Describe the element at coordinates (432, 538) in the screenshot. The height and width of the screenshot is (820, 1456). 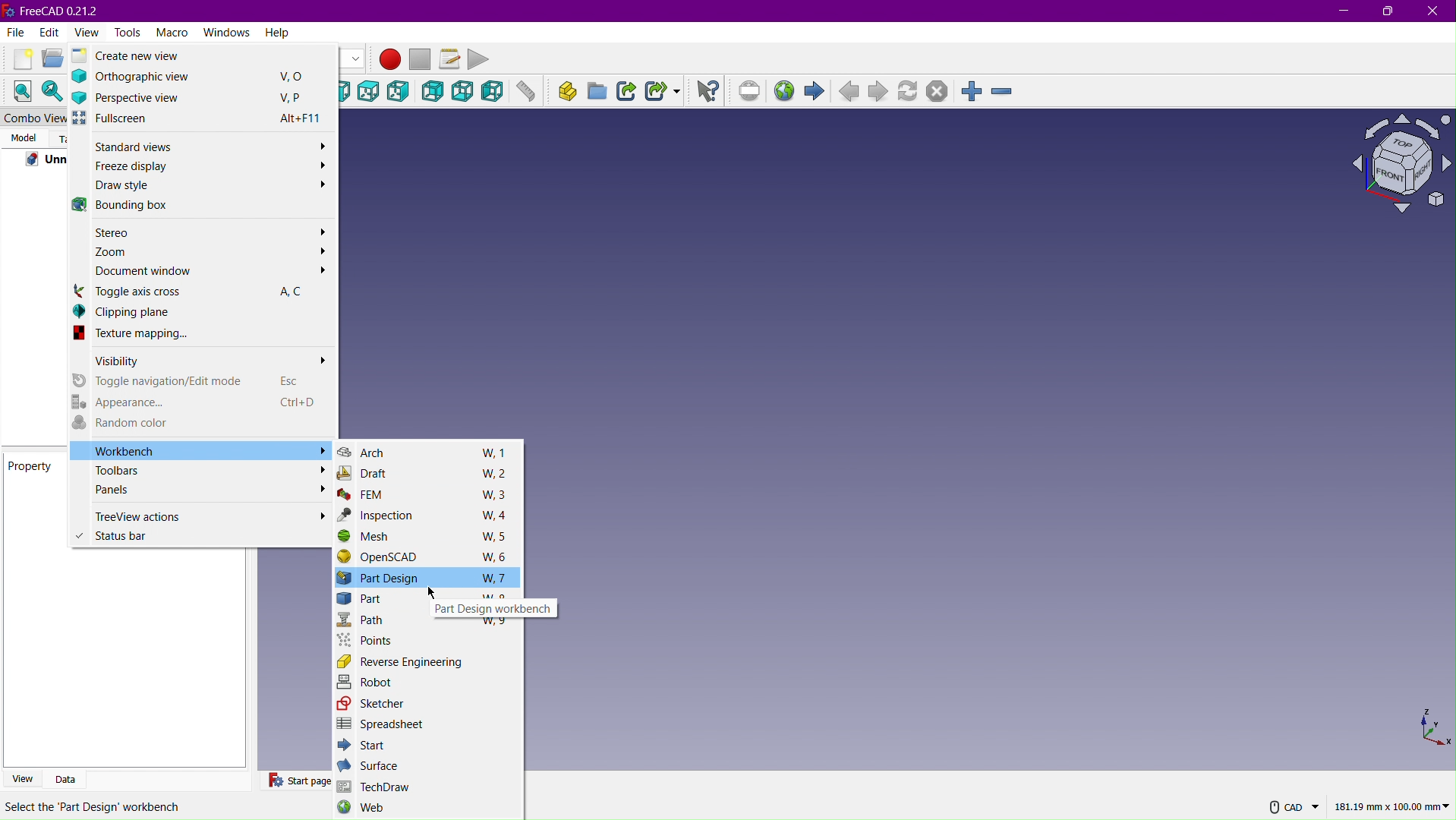
I see `Mesh W, 5` at that location.